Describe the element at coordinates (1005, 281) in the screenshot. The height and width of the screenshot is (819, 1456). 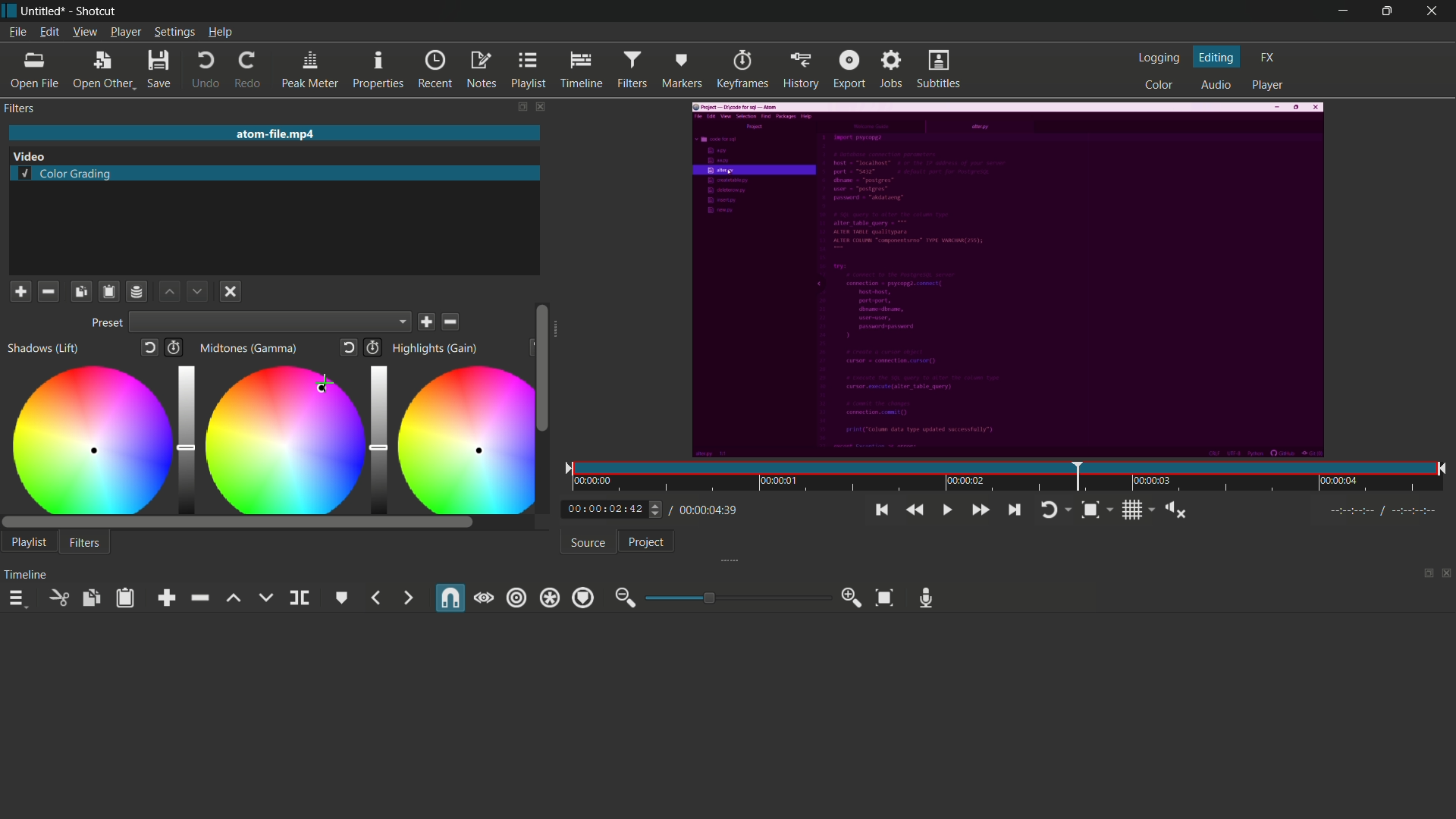
I see `imported video` at that location.